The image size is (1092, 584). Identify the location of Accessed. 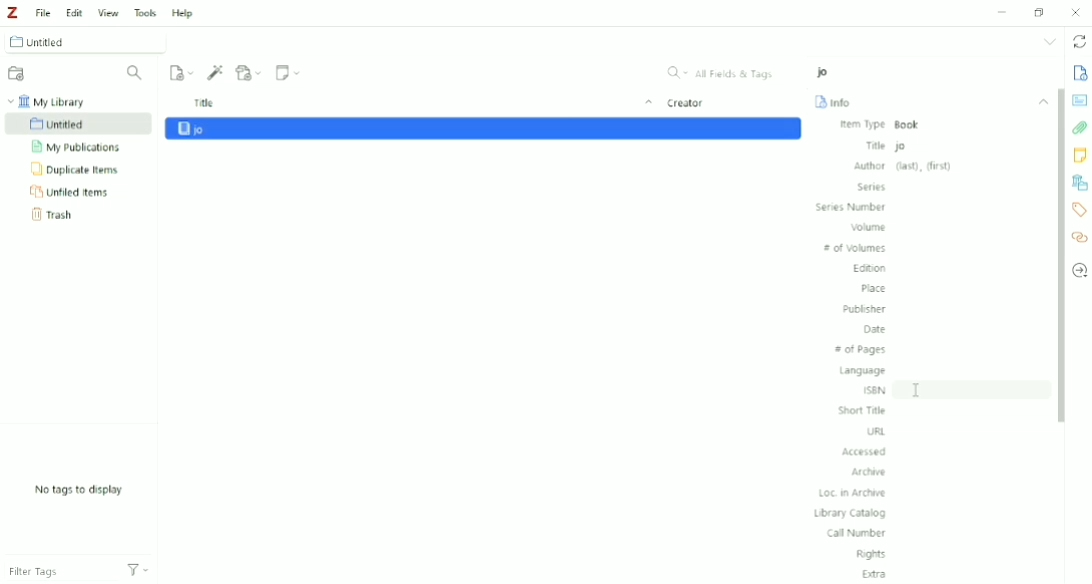
(864, 452).